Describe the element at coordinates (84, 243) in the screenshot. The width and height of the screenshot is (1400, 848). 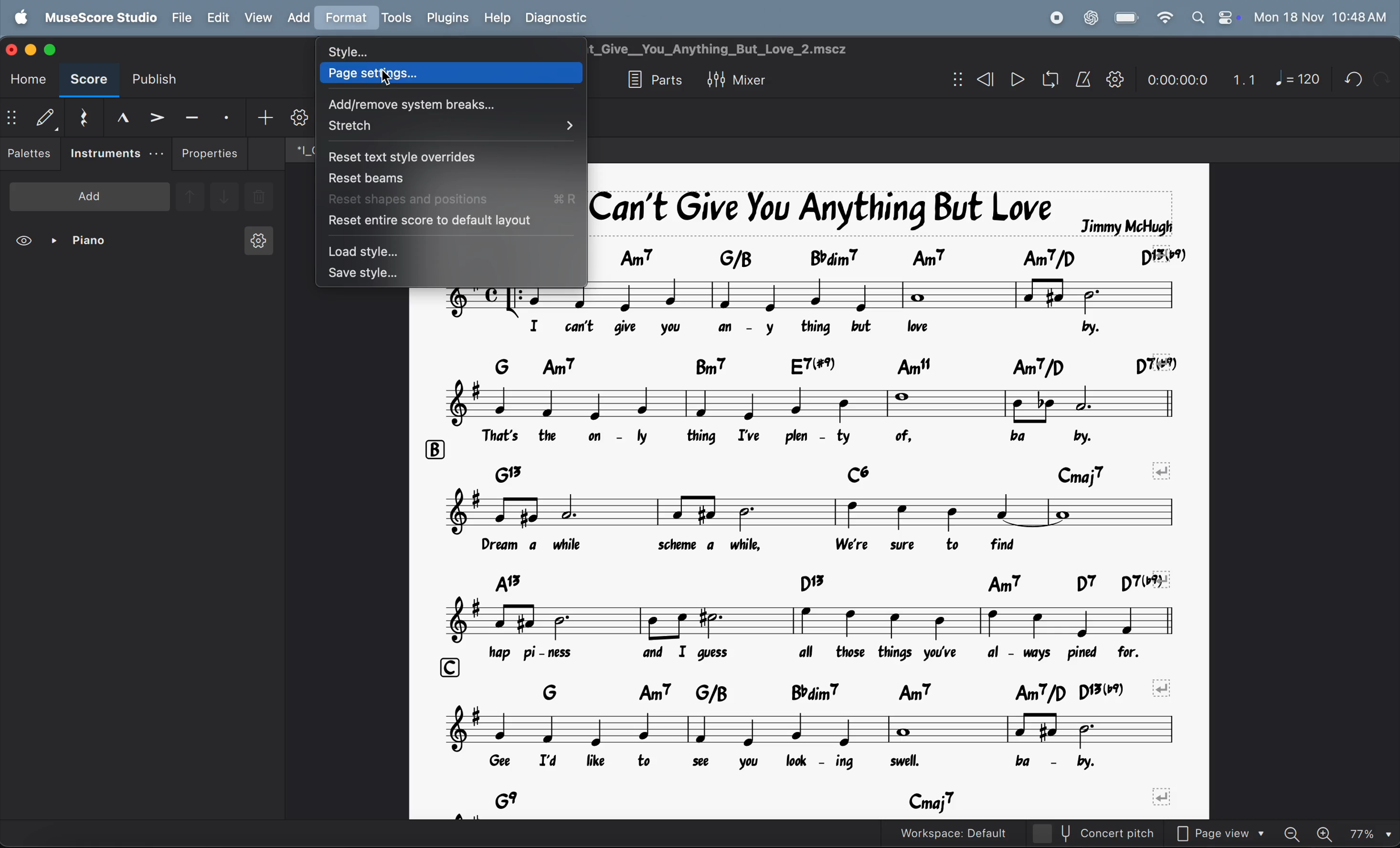
I see `piano` at that location.